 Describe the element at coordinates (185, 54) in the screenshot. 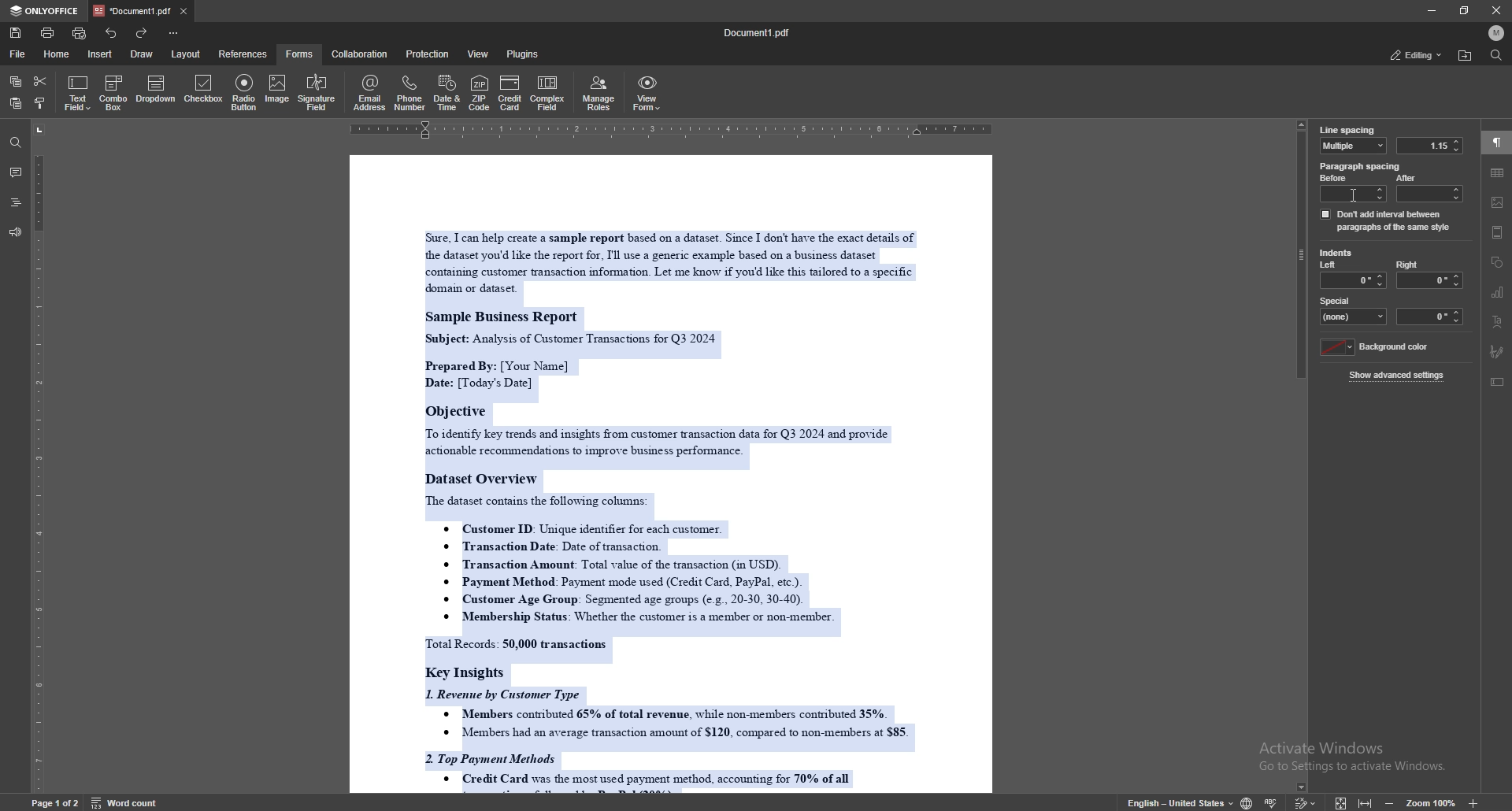

I see `layout` at that location.